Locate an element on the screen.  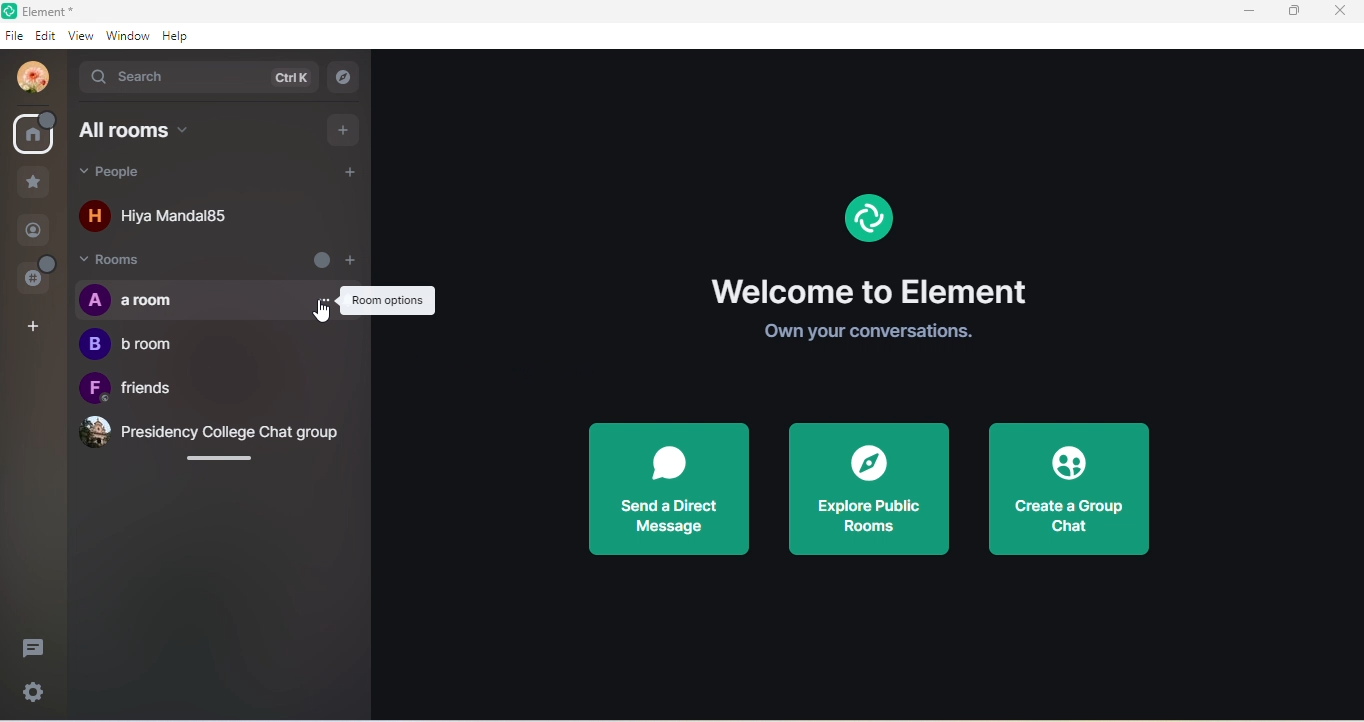
rooms is located at coordinates (124, 262).